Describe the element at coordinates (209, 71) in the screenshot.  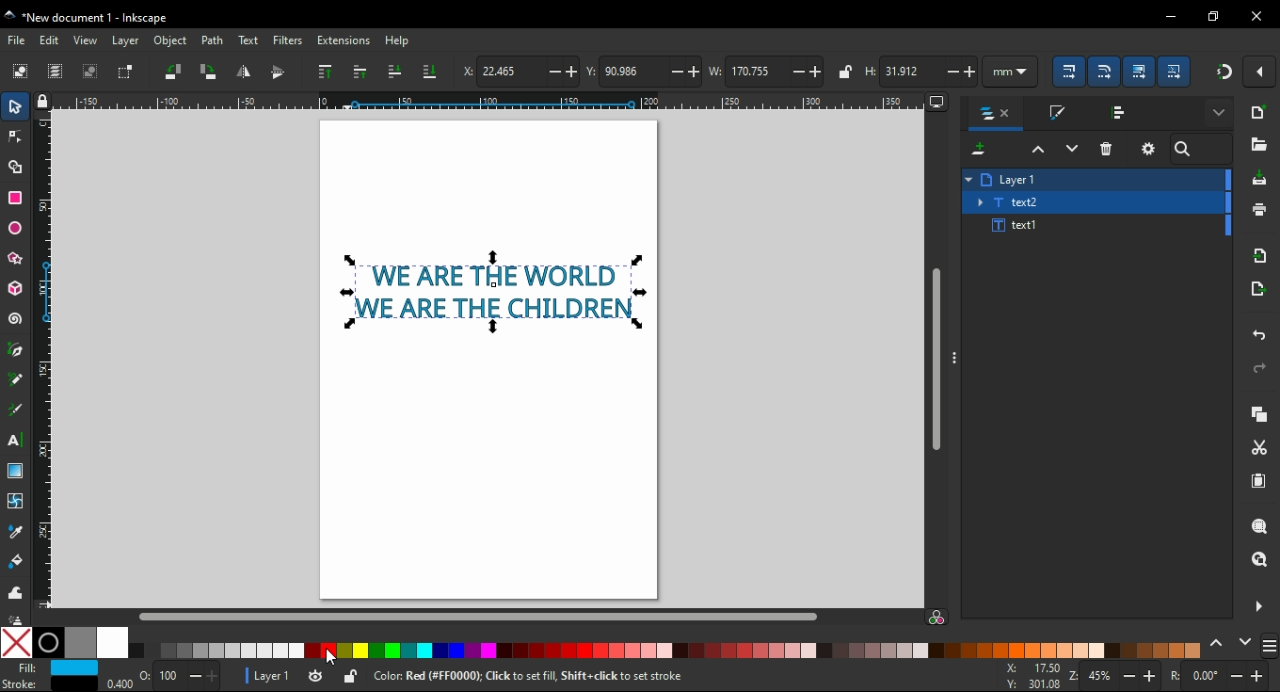
I see `object rotate 90 ` at that location.